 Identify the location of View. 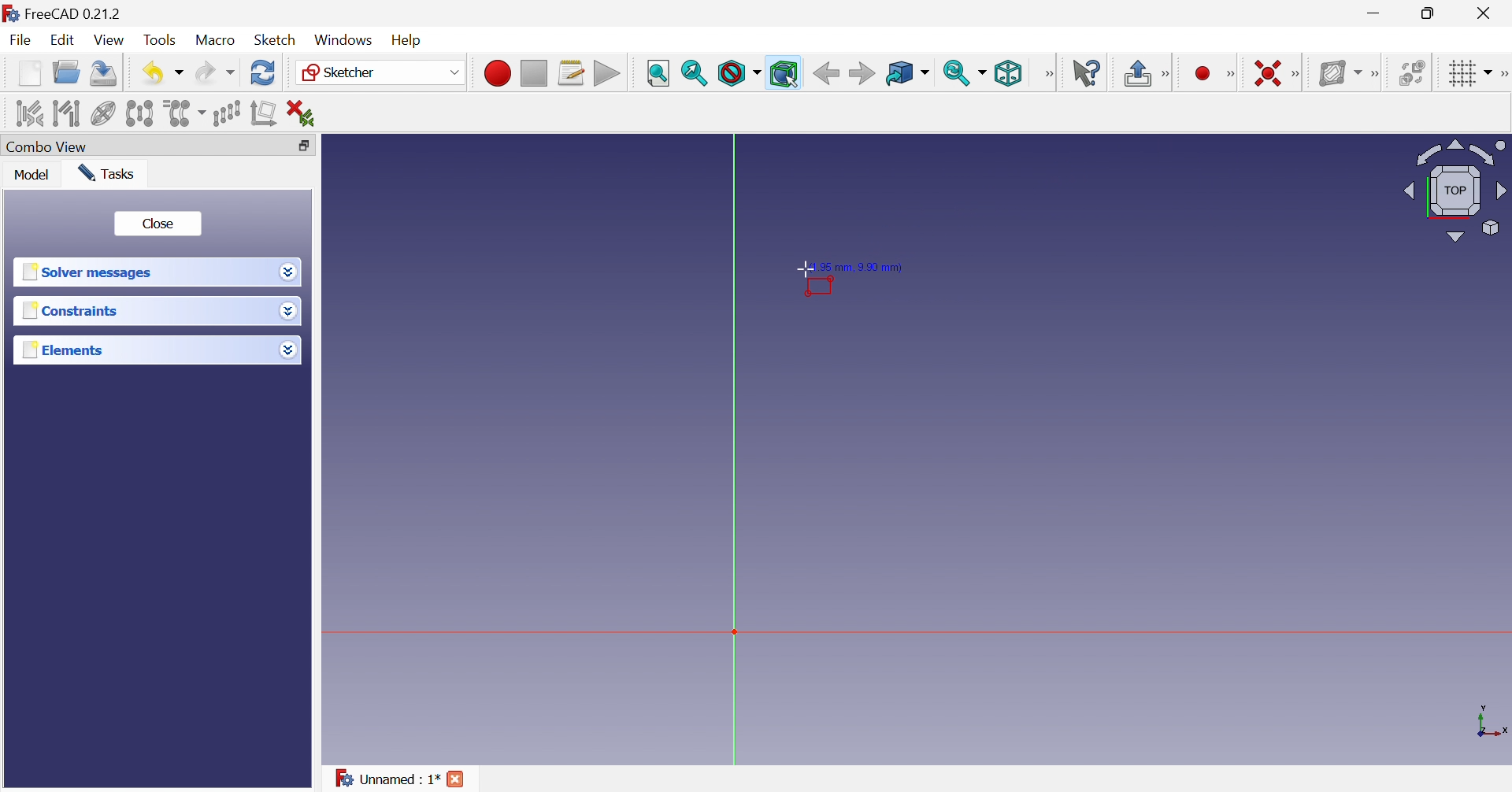
(108, 41).